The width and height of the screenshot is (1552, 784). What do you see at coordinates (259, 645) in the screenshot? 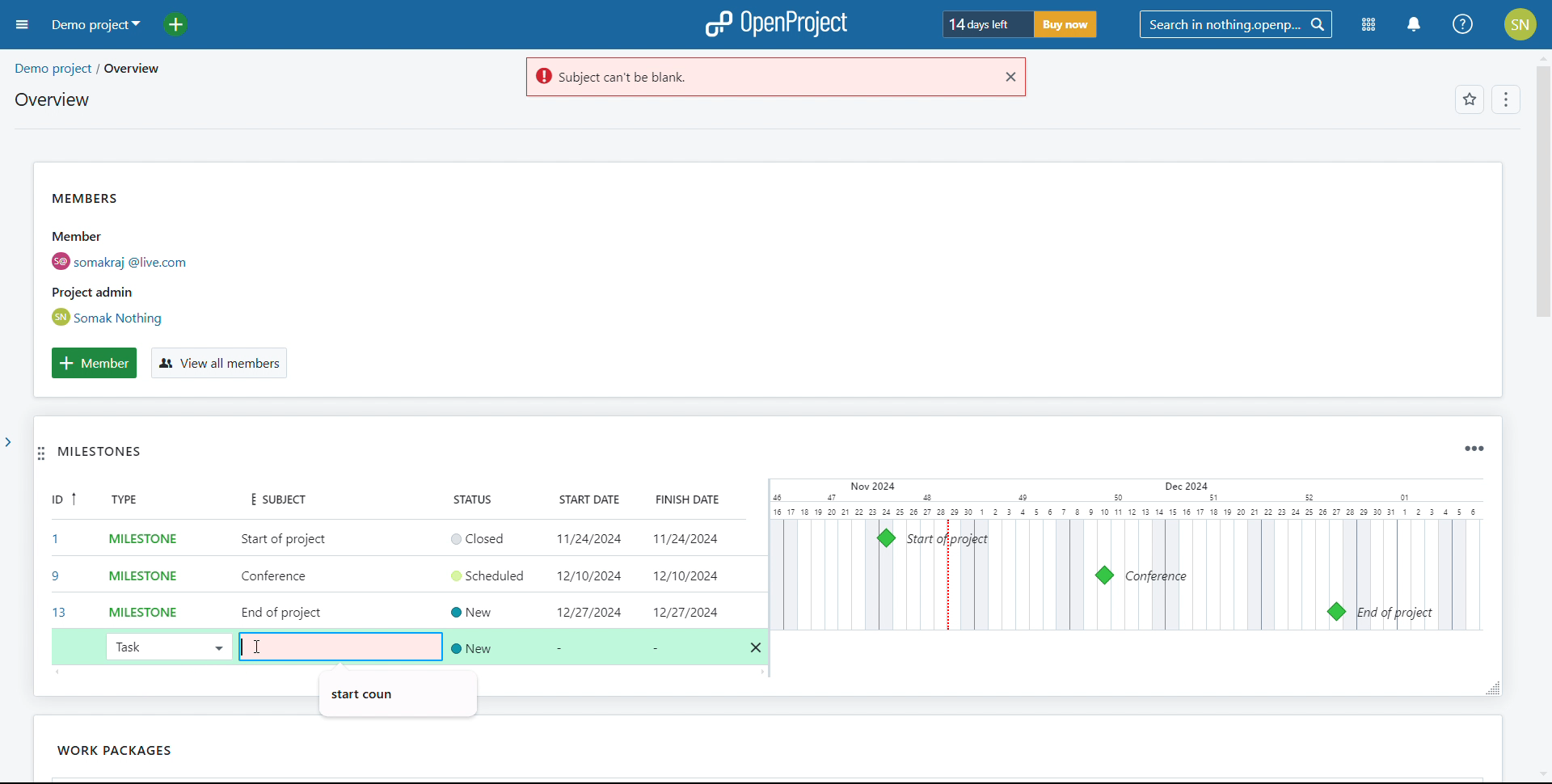
I see `cursor` at bounding box center [259, 645].